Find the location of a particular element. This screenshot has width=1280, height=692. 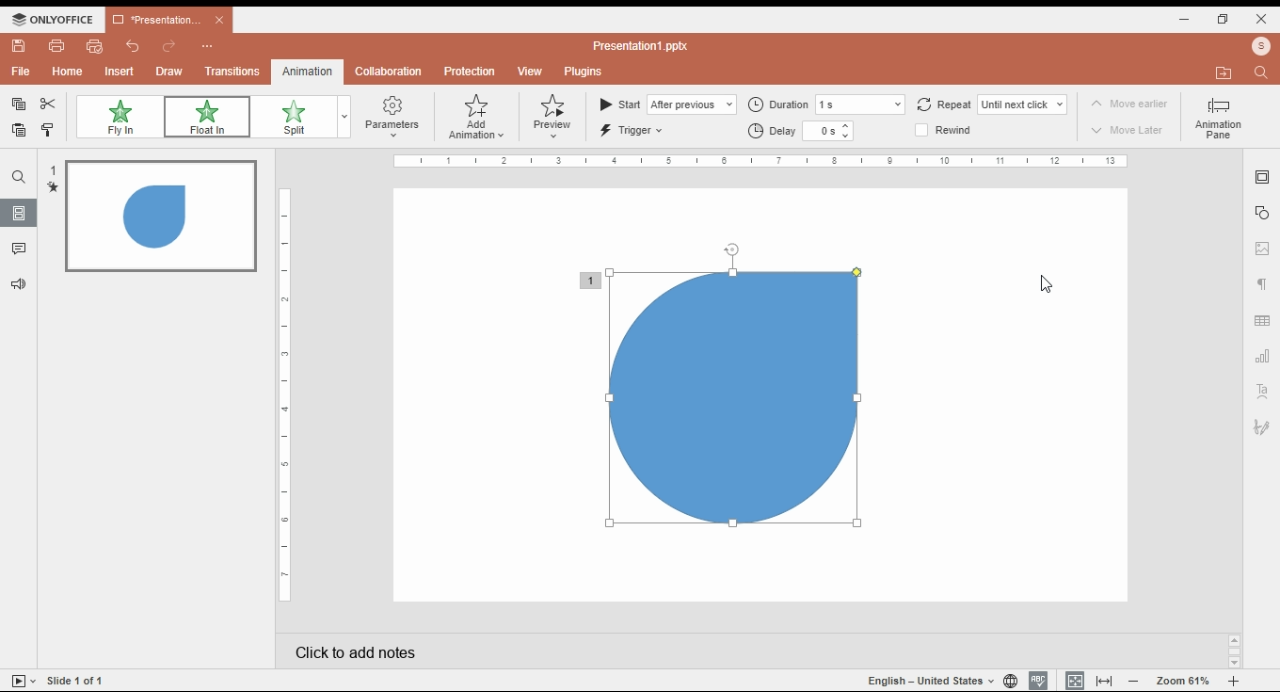

animation is located at coordinates (305, 71).